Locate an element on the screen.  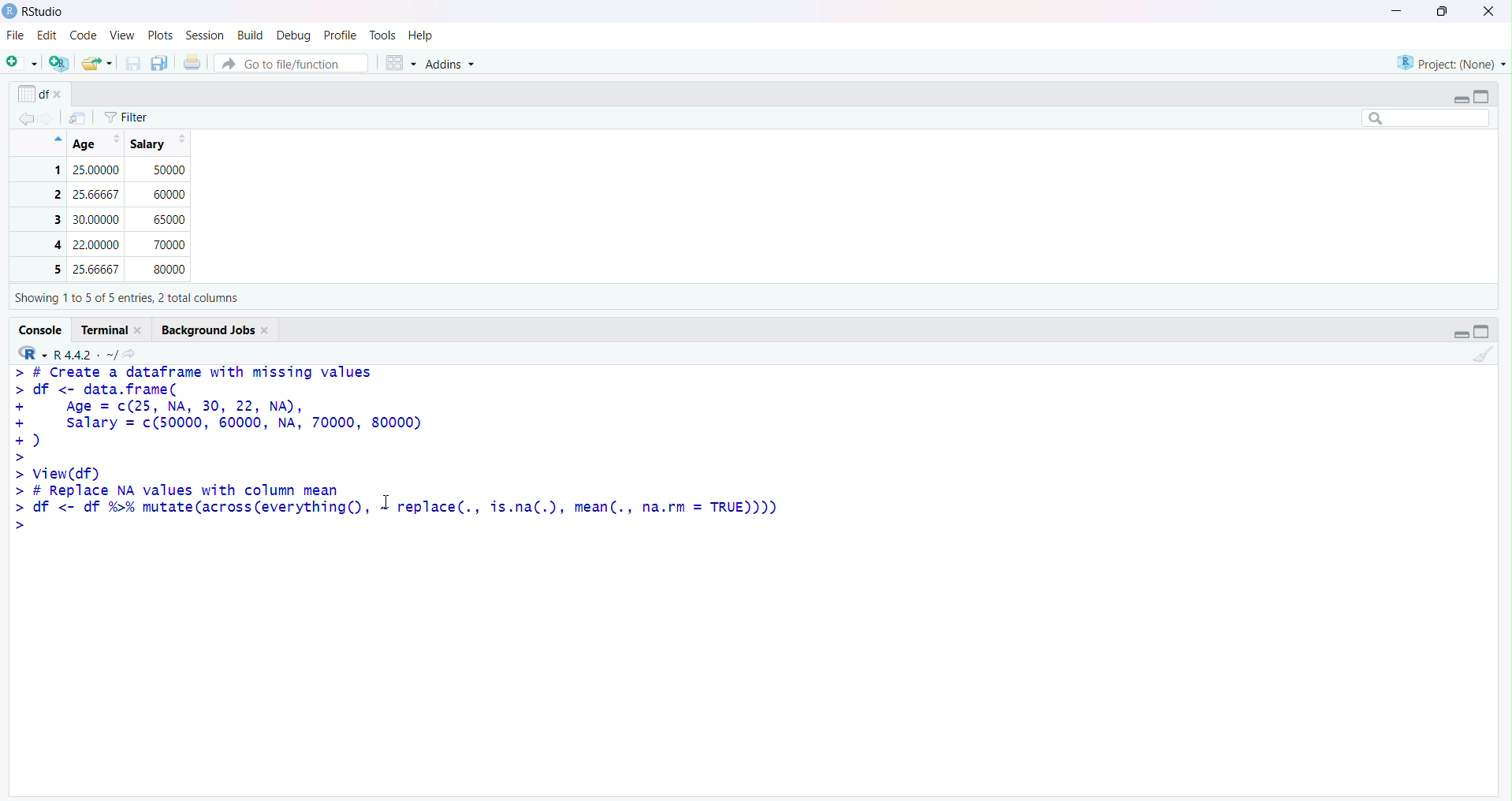
Print the current file is located at coordinates (192, 61).